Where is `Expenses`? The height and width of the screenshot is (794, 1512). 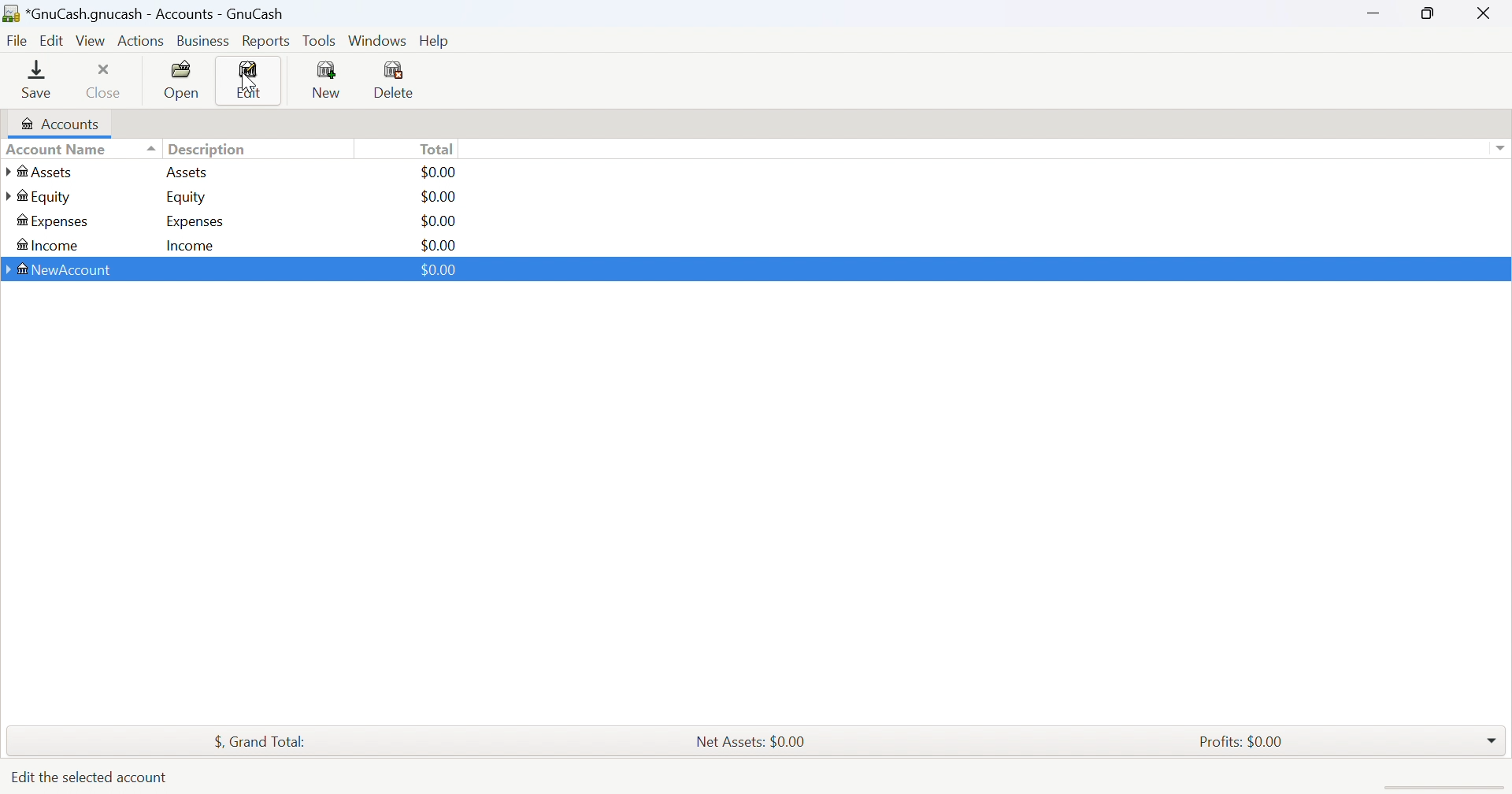
Expenses is located at coordinates (195, 222).